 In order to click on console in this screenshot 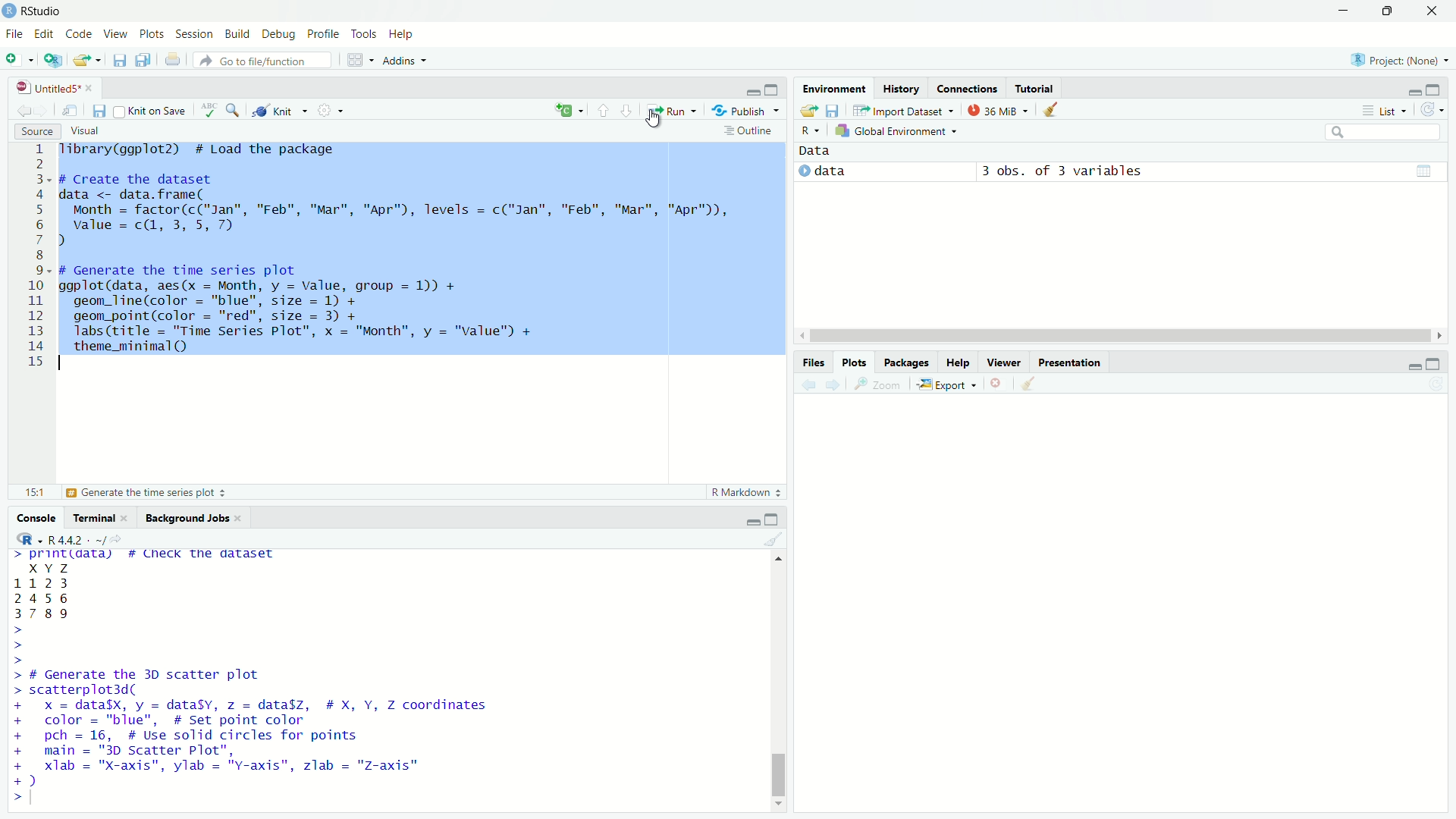, I will do `click(32, 517)`.